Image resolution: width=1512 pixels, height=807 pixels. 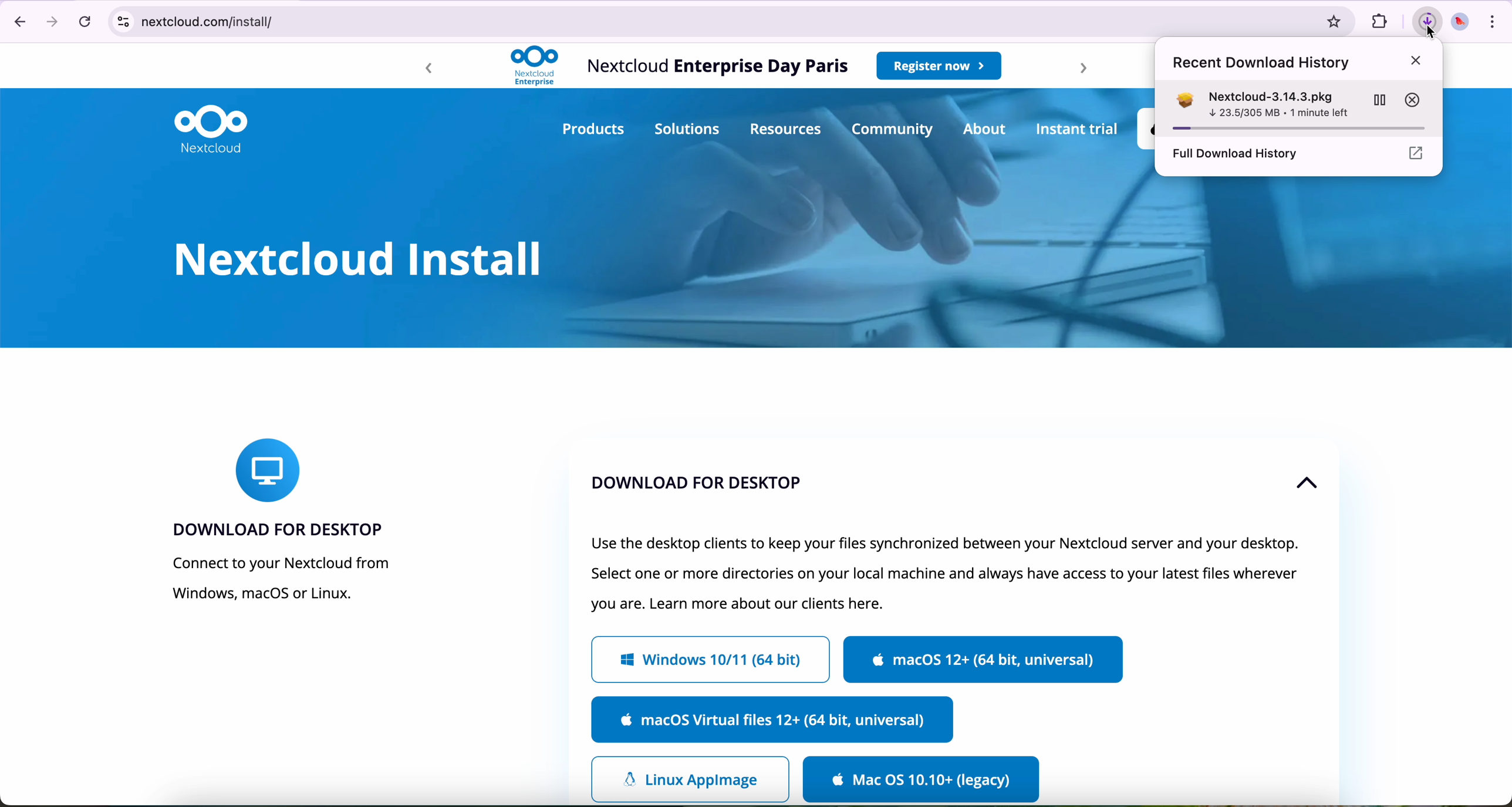 What do you see at coordinates (268, 467) in the screenshot?
I see `icon` at bounding box center [268, 467].